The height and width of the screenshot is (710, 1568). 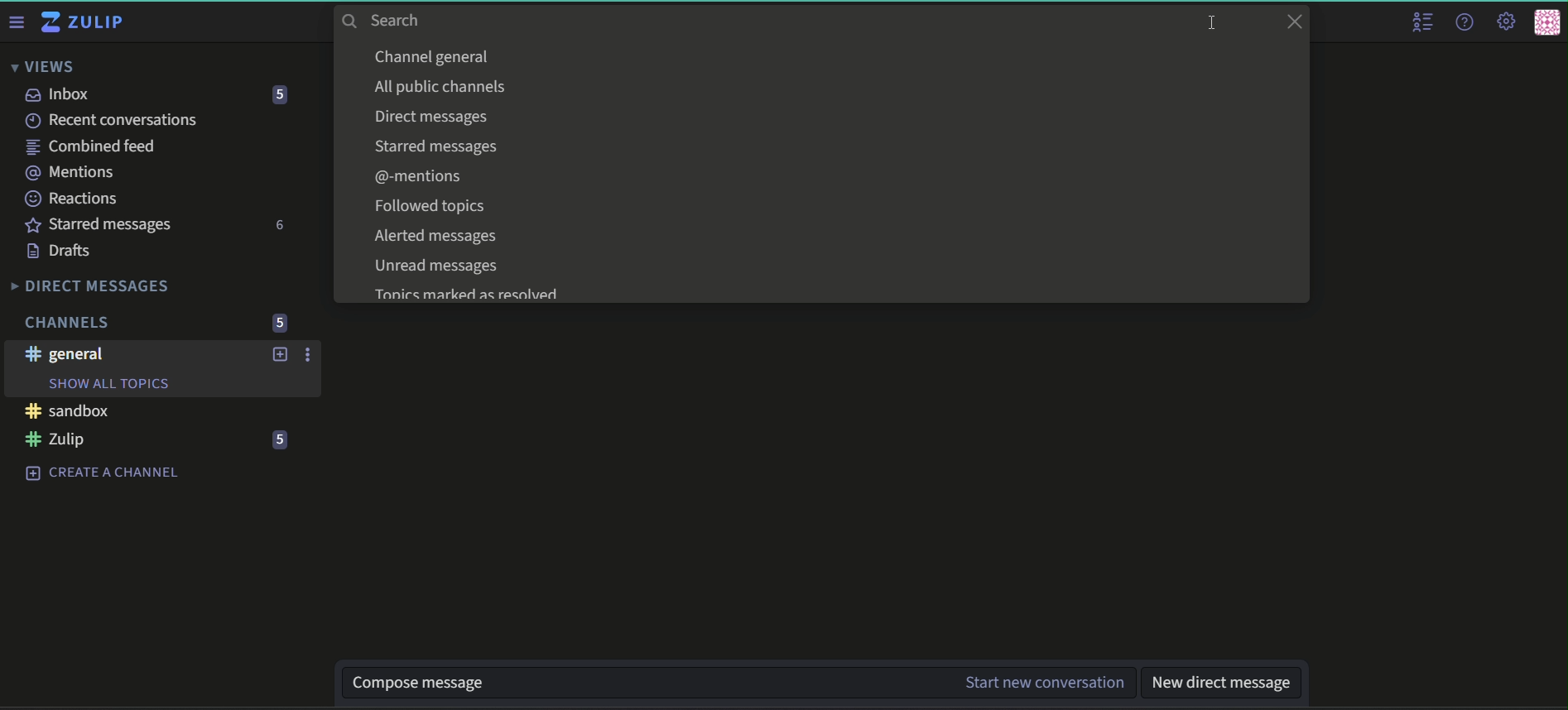 What do you see at coordinates (86, 24) in the screenshot?
I see `Title and logo` at bounding box center [86, 24].